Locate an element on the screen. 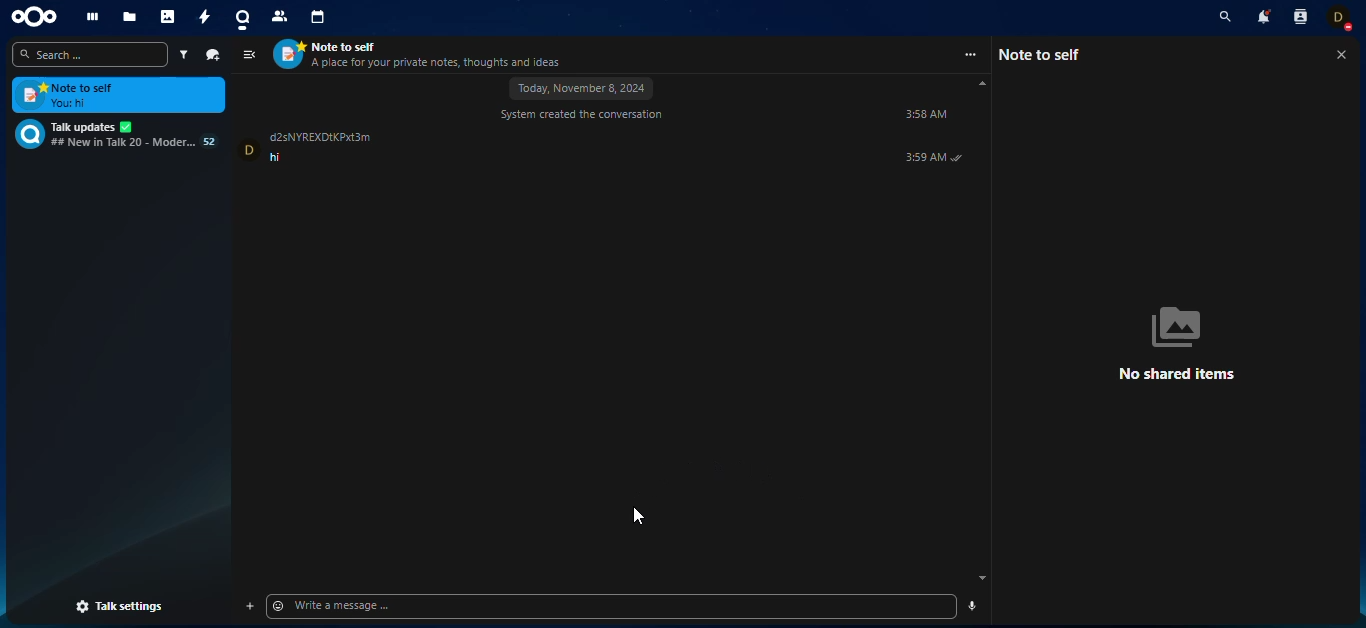 This screenshot has width=1366, height=628. Emoji is located at coordinates (275, 606).